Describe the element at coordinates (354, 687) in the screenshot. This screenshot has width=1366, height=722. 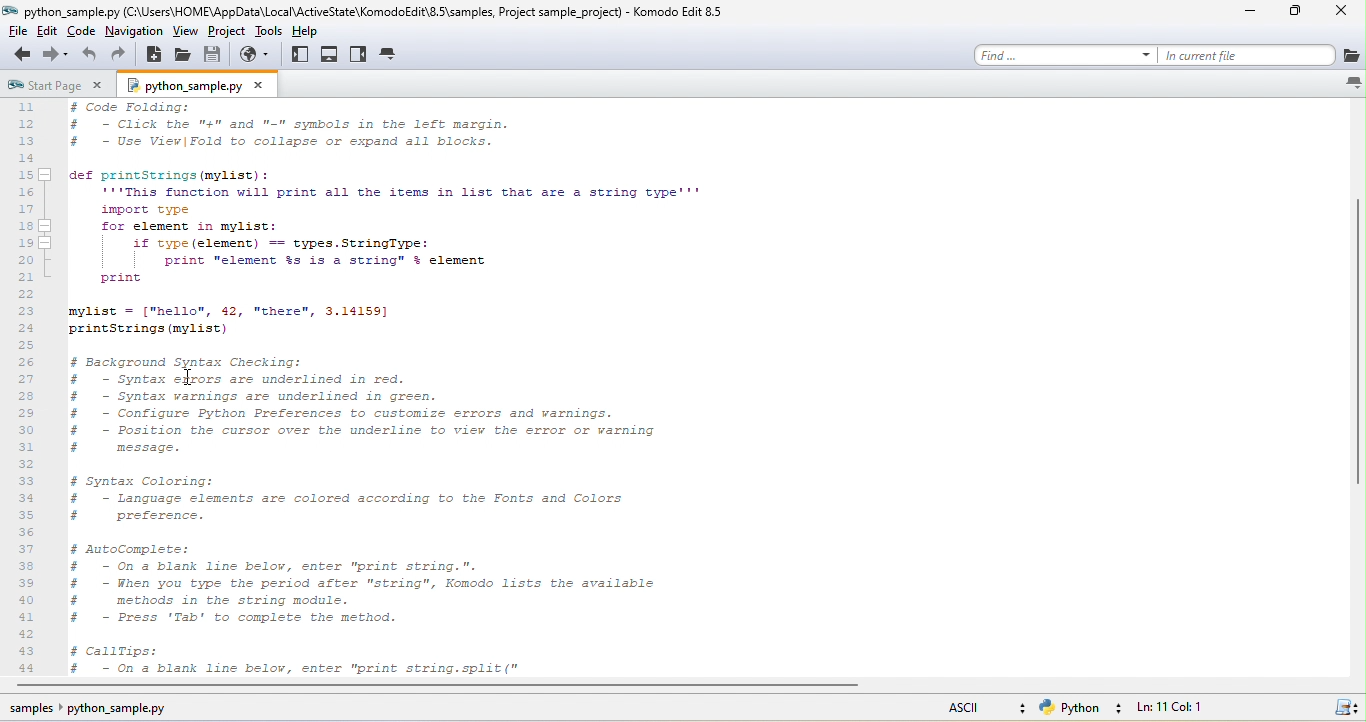
I see `horizontal scroll bar` at that location.